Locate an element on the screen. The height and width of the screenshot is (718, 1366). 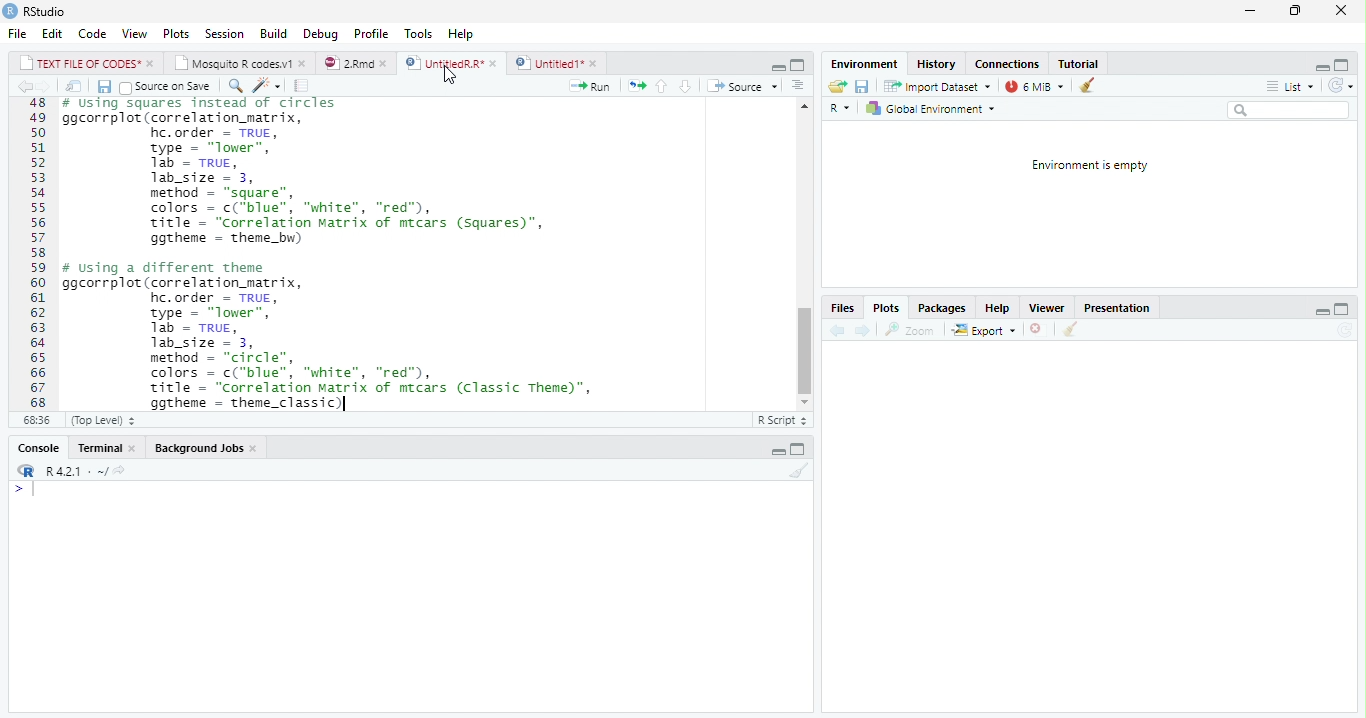
typing cursor is located at coordinates (26, 492).